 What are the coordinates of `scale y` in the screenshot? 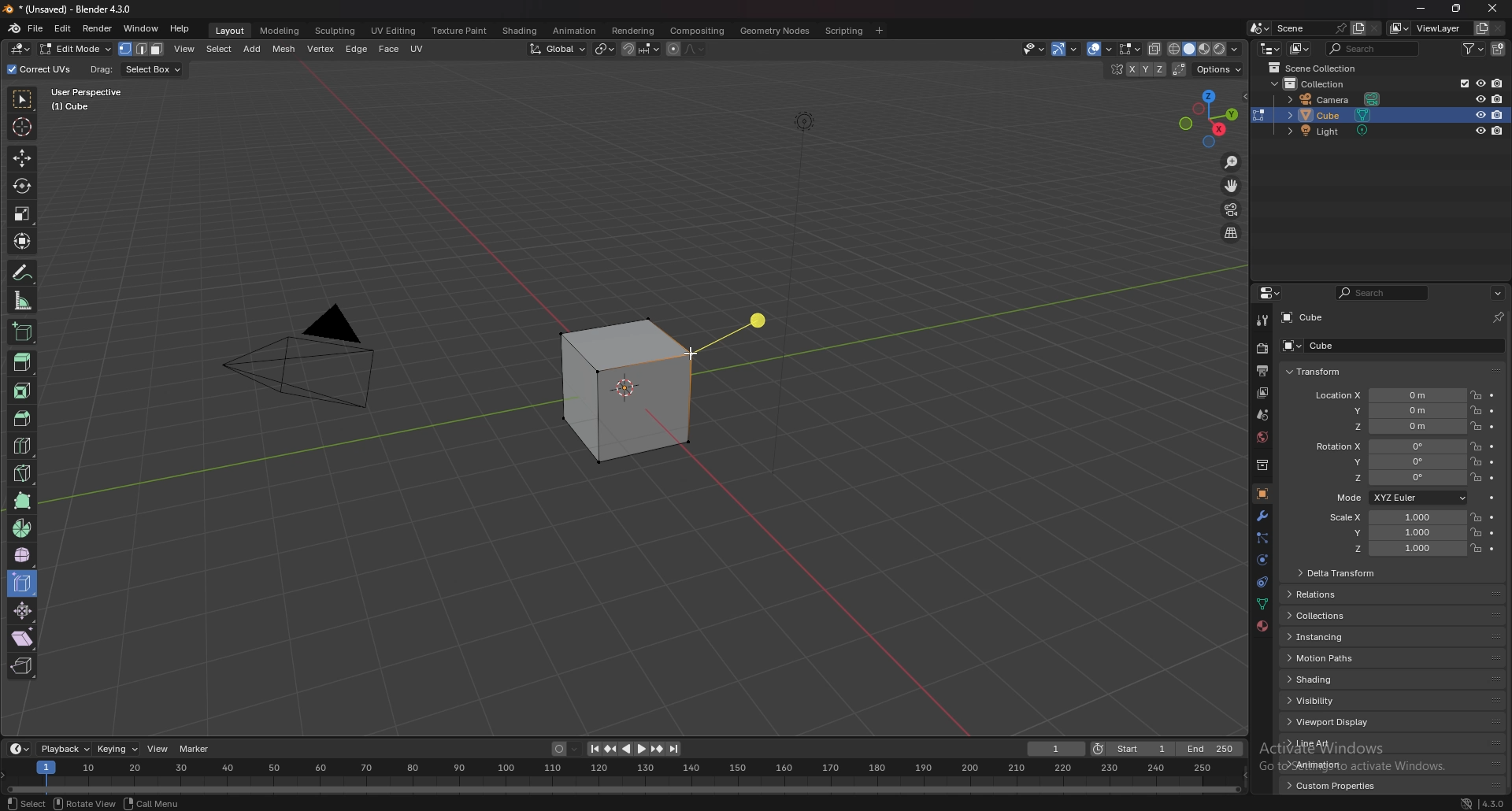 It's located at (1396, 533).